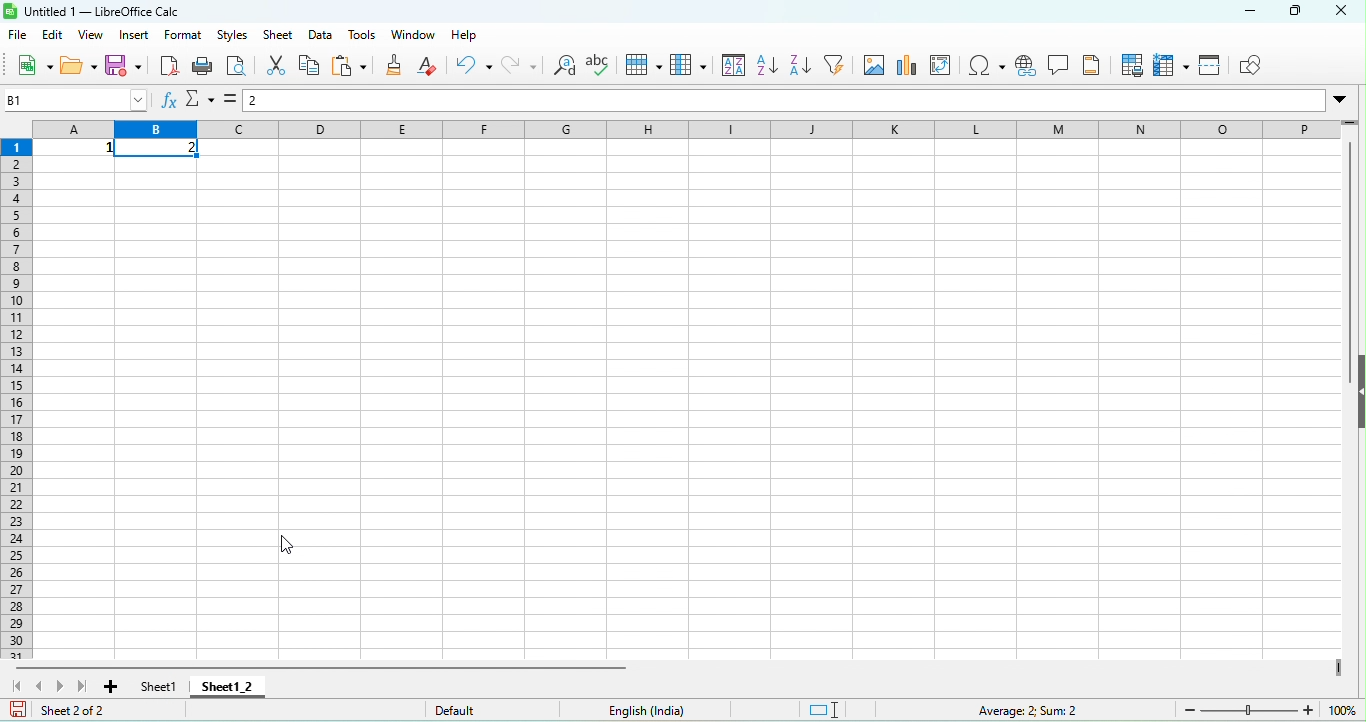 This screenshot has height=722, width=1366. I want to click on open, so click(79, 65).